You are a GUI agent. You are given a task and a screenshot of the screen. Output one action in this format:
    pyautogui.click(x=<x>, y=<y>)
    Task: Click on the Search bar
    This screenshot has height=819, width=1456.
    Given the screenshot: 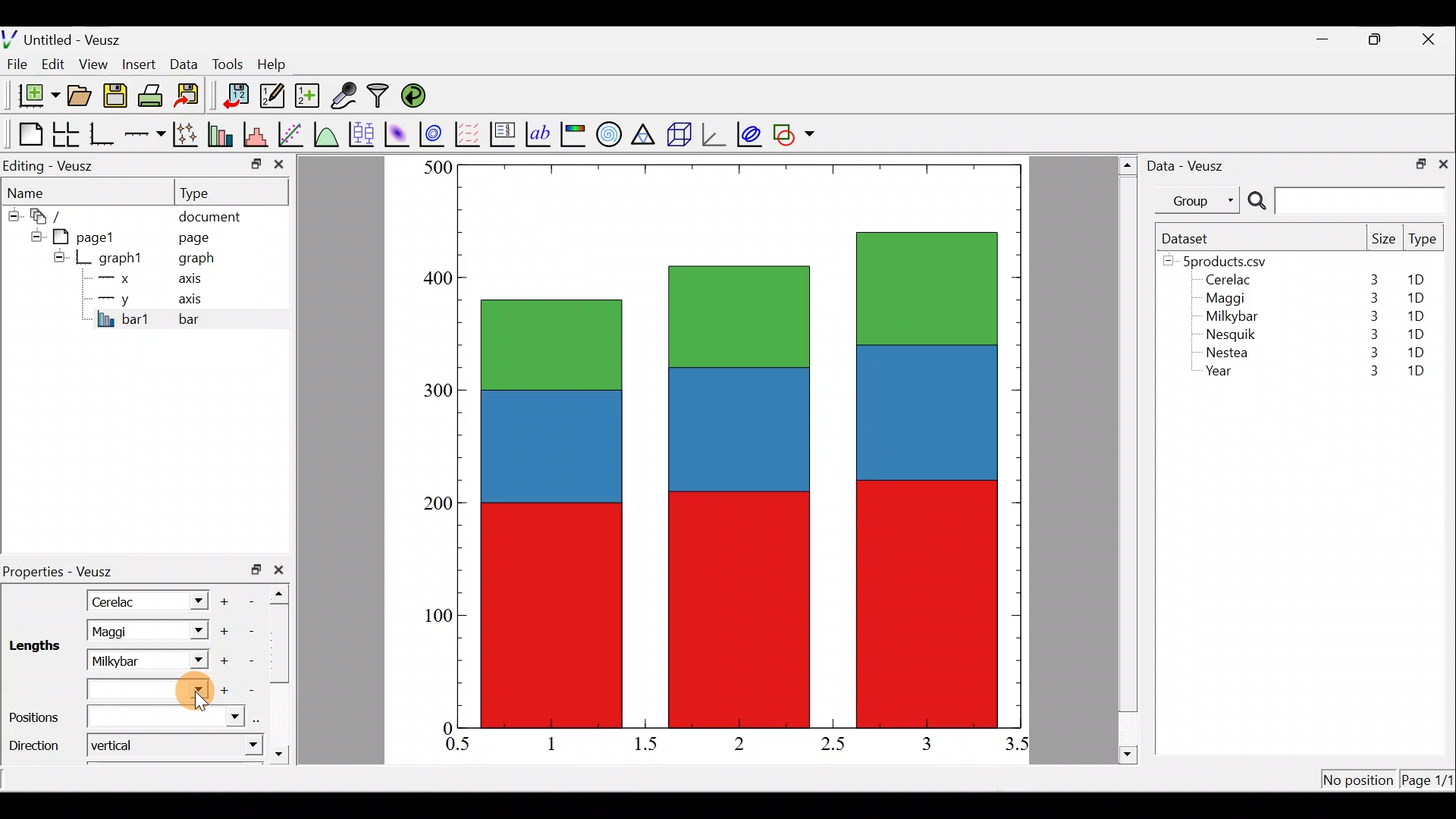 What is the action you would take?
    pyautogui.click(x=1344, y=201)
    